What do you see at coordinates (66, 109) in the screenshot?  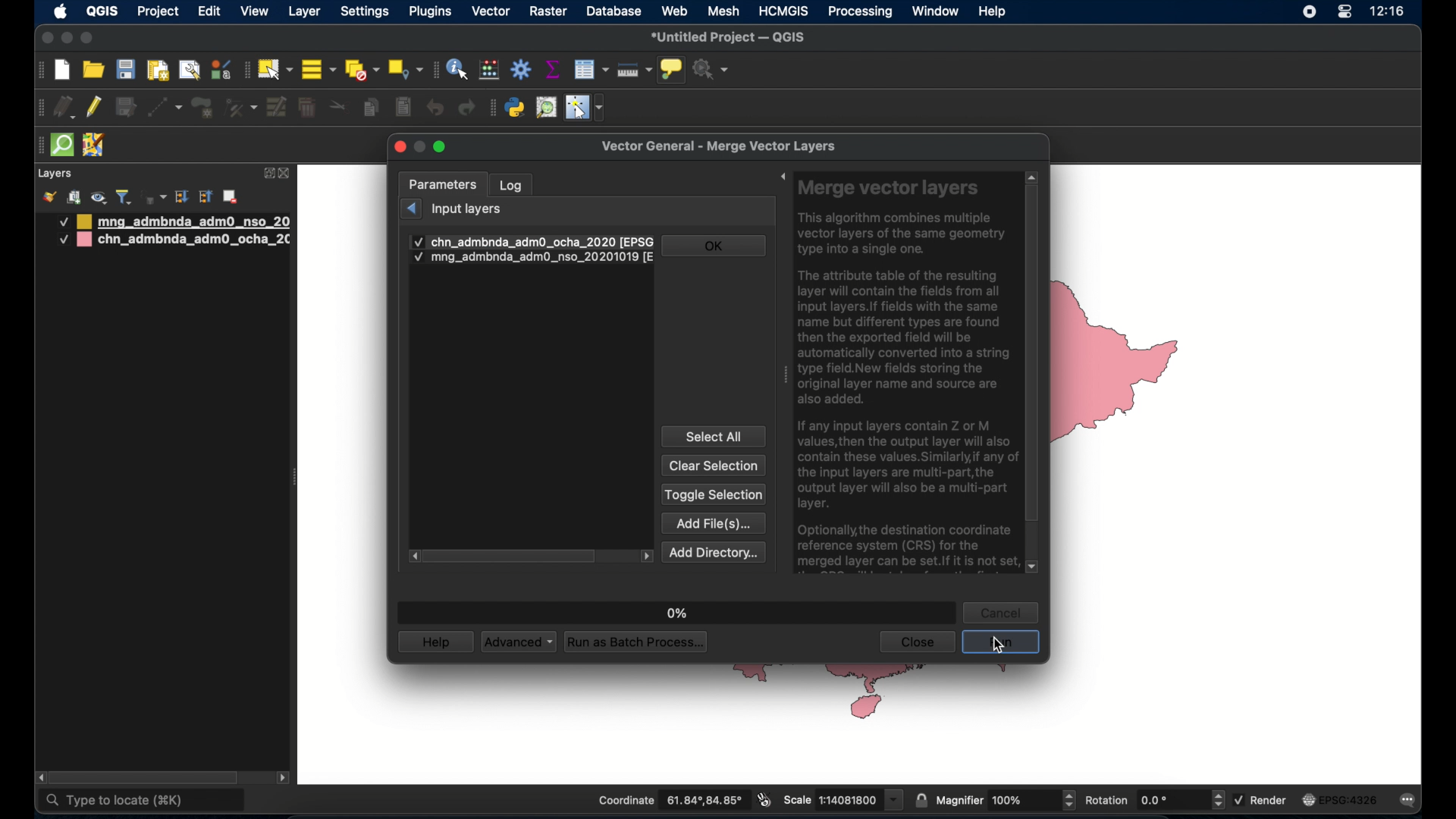 I see `current edits` at bounding box center [66, 109].